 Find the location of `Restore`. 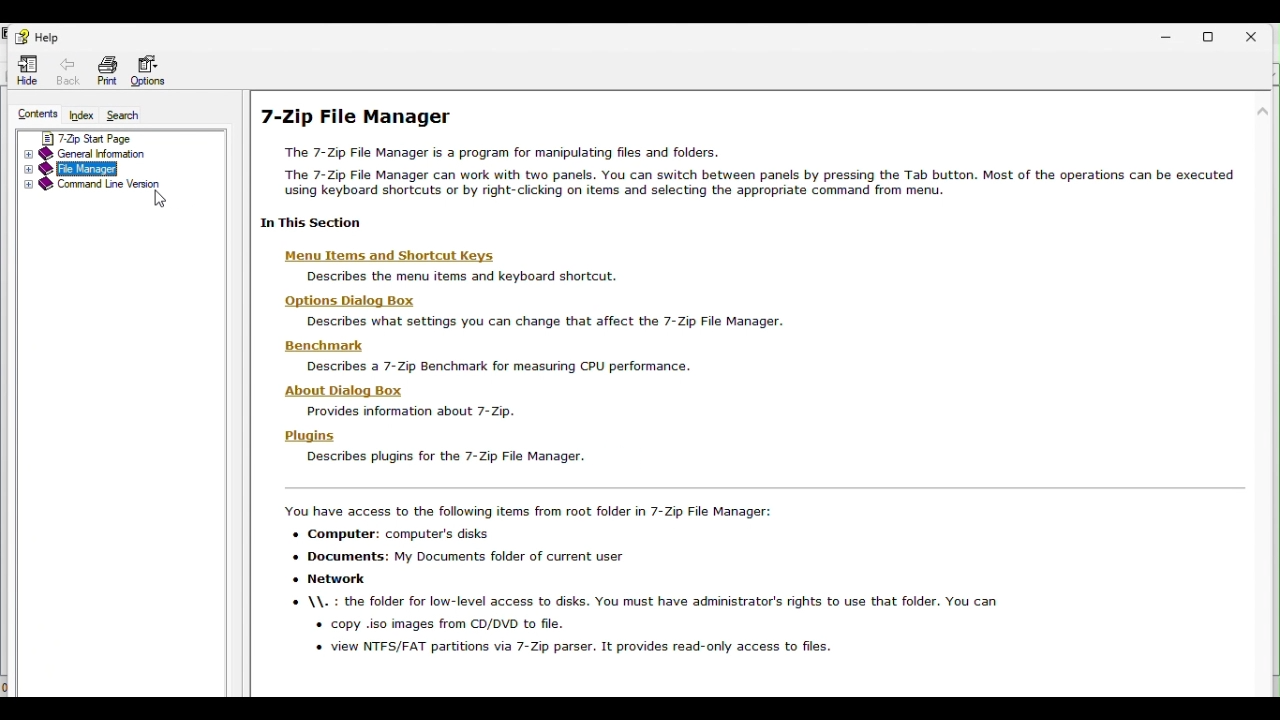

Restore is located at coordinates (1217, 34).